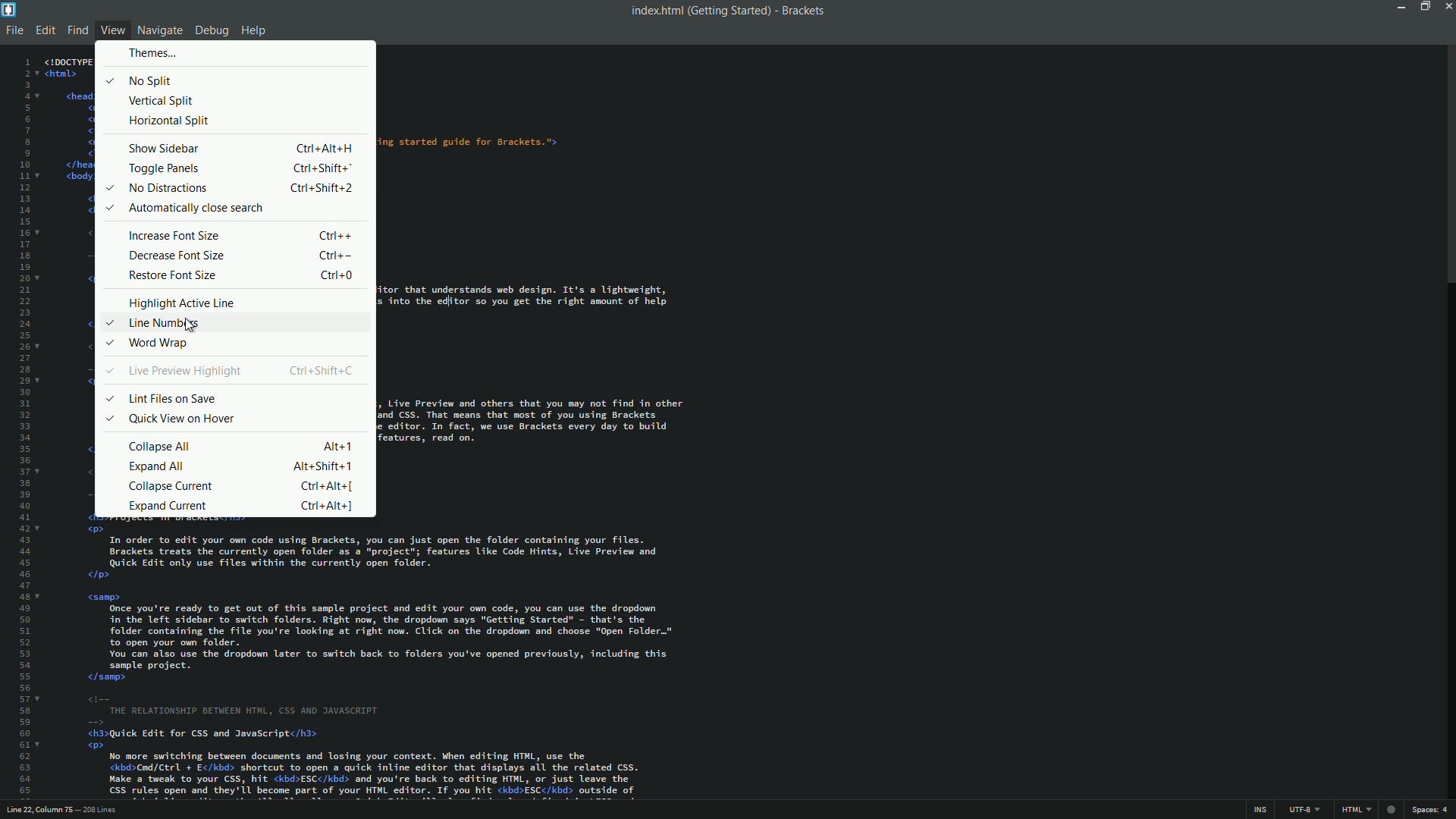 This screenshot has height=819, width=1456. I want to click on index.html (Getting Started) - Brackets, so click(723, 11).